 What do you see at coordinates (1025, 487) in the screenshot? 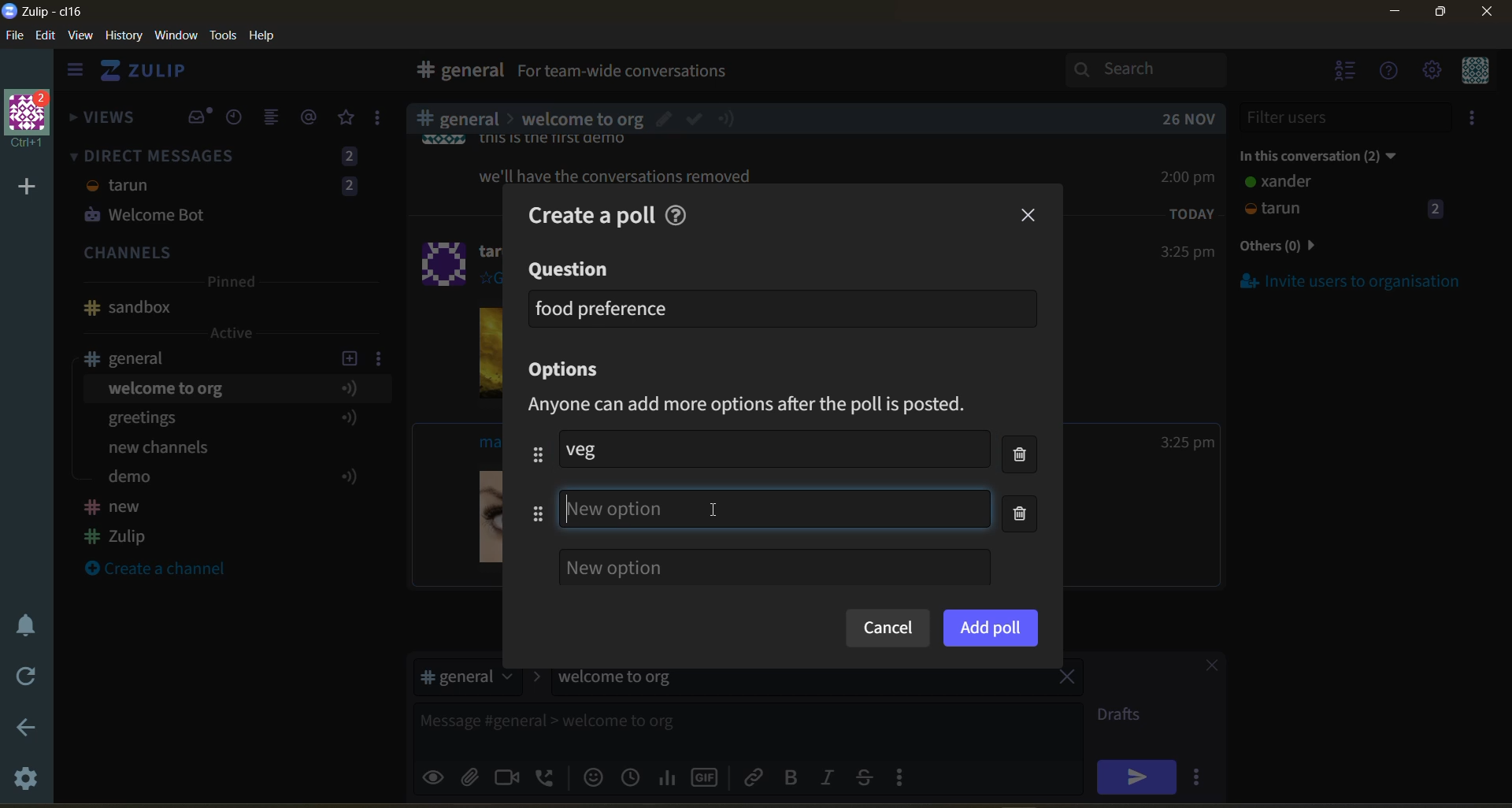
I see `delete` at bounding box center [1025, 487].